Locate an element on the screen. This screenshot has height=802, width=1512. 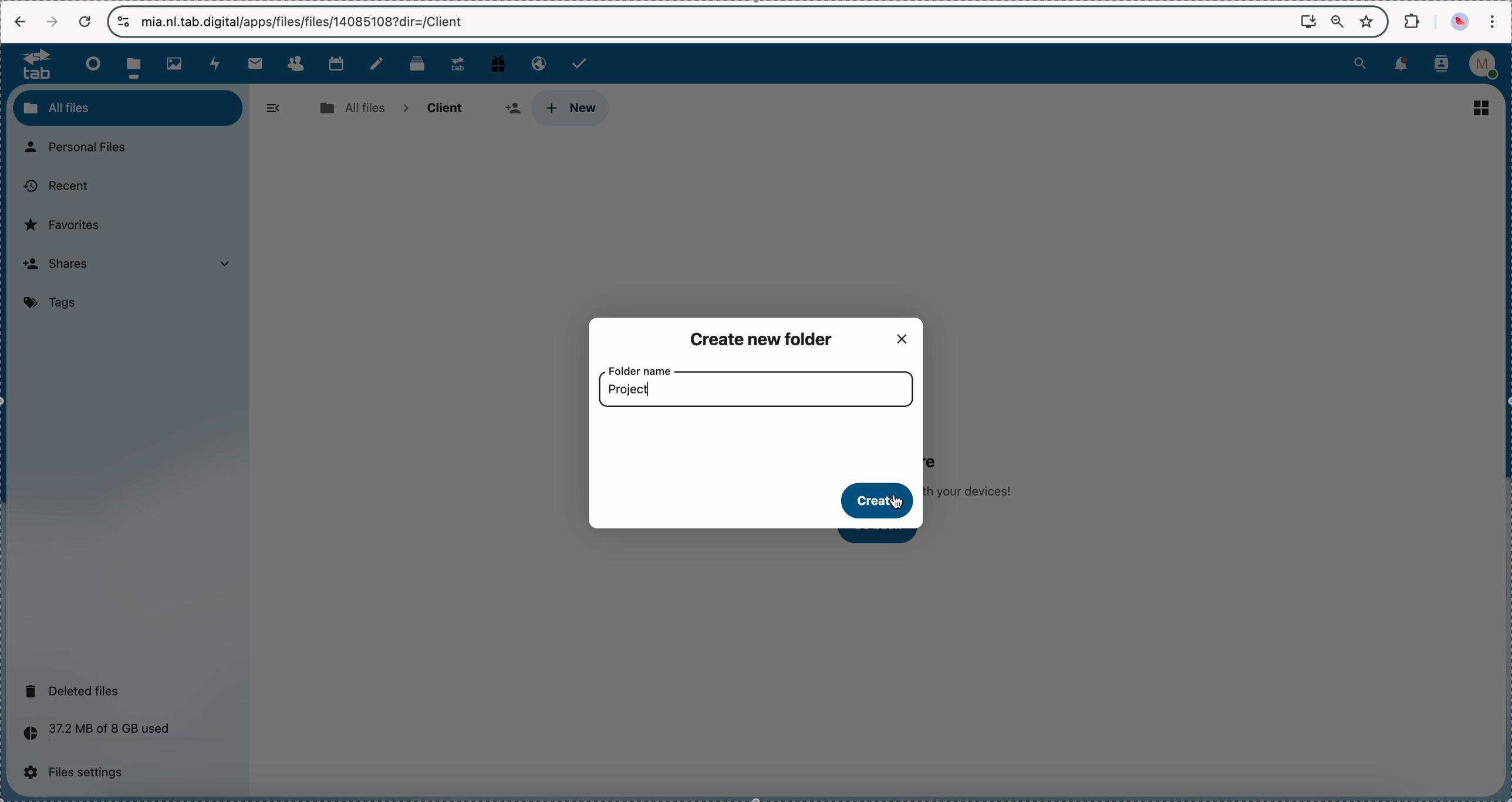
share is located at coordinates (512, 107).